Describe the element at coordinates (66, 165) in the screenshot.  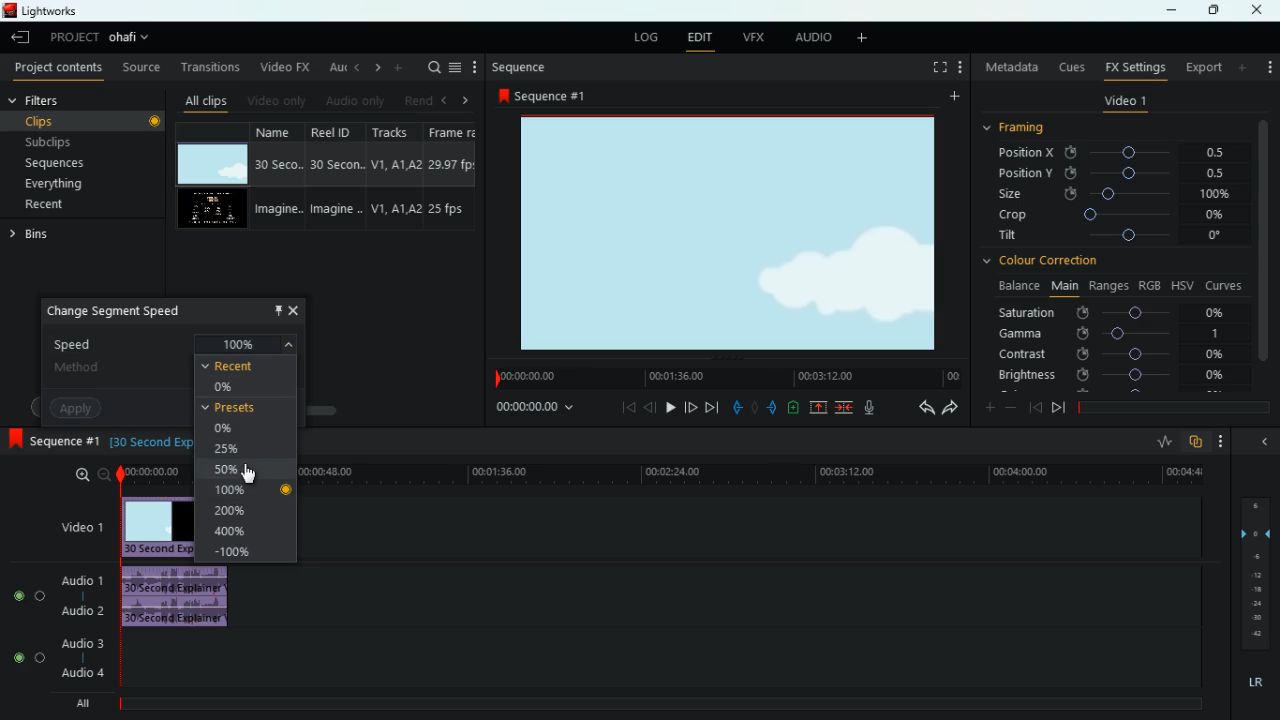
I see `sequences` at that location.